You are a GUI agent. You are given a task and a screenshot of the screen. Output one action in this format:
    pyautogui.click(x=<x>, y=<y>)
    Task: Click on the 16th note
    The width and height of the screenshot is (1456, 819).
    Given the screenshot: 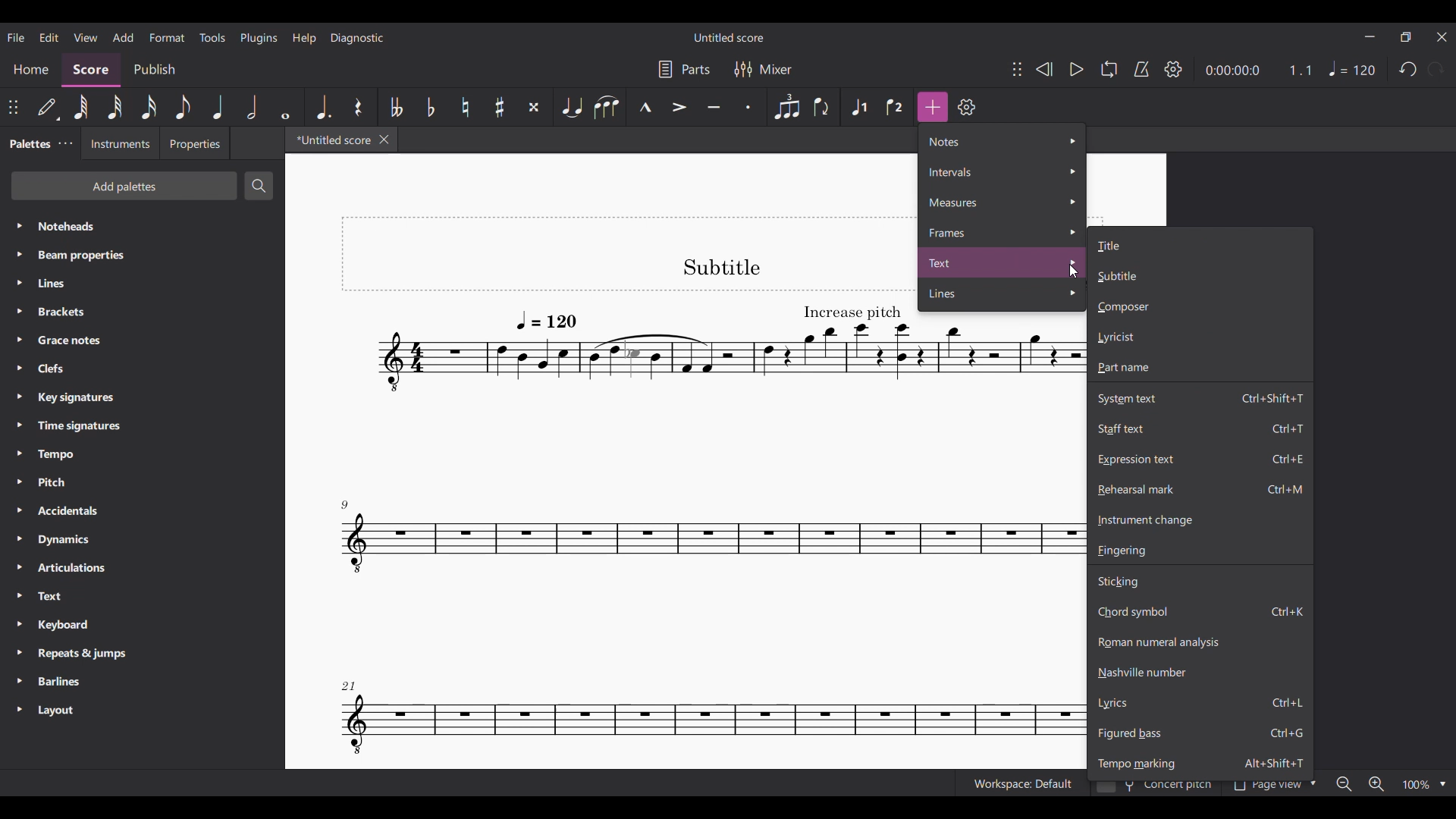 What is the action you would take?
    pyautogui.click(x=149, y=107)
    